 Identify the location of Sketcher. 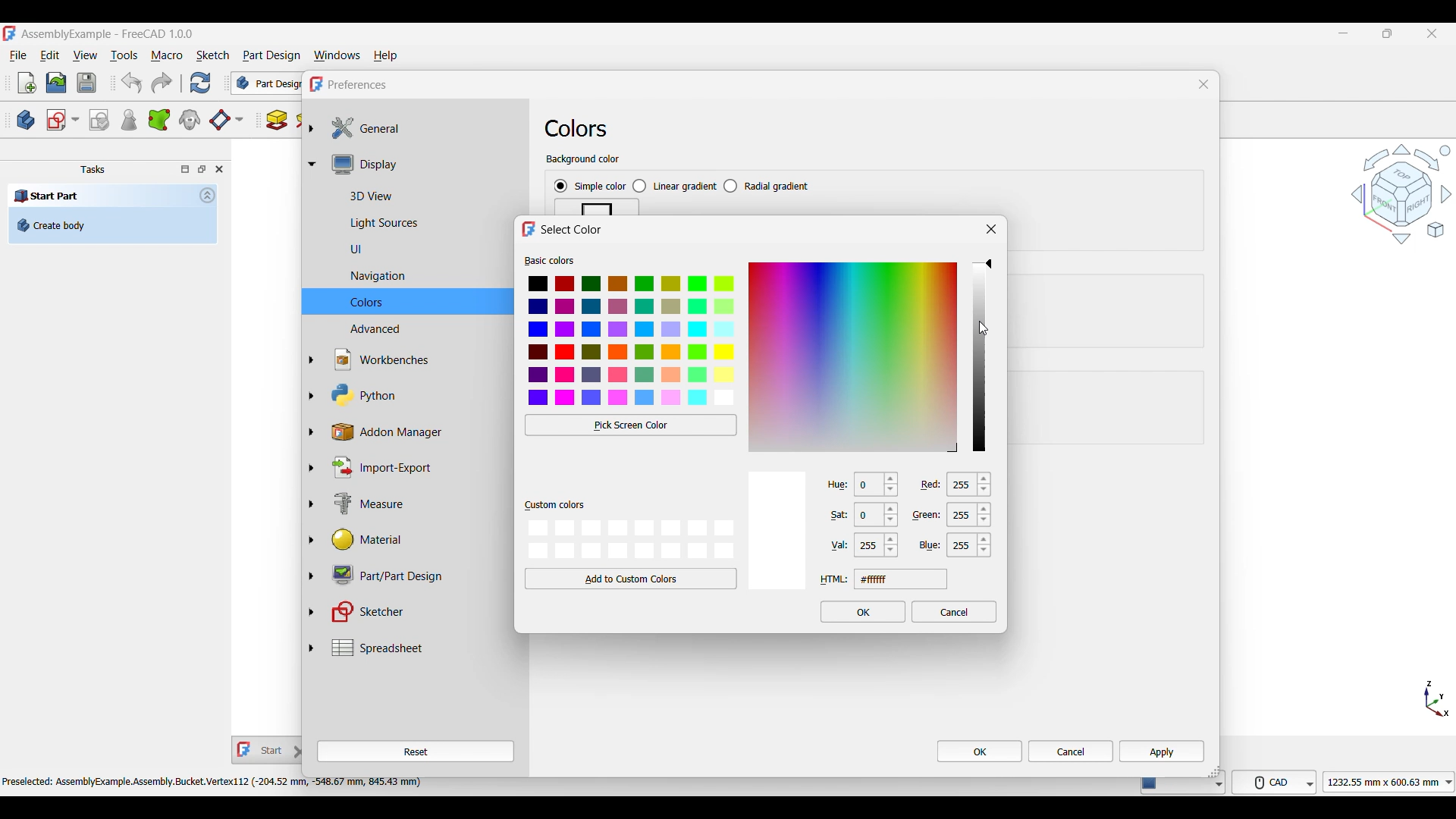
(415, 612).